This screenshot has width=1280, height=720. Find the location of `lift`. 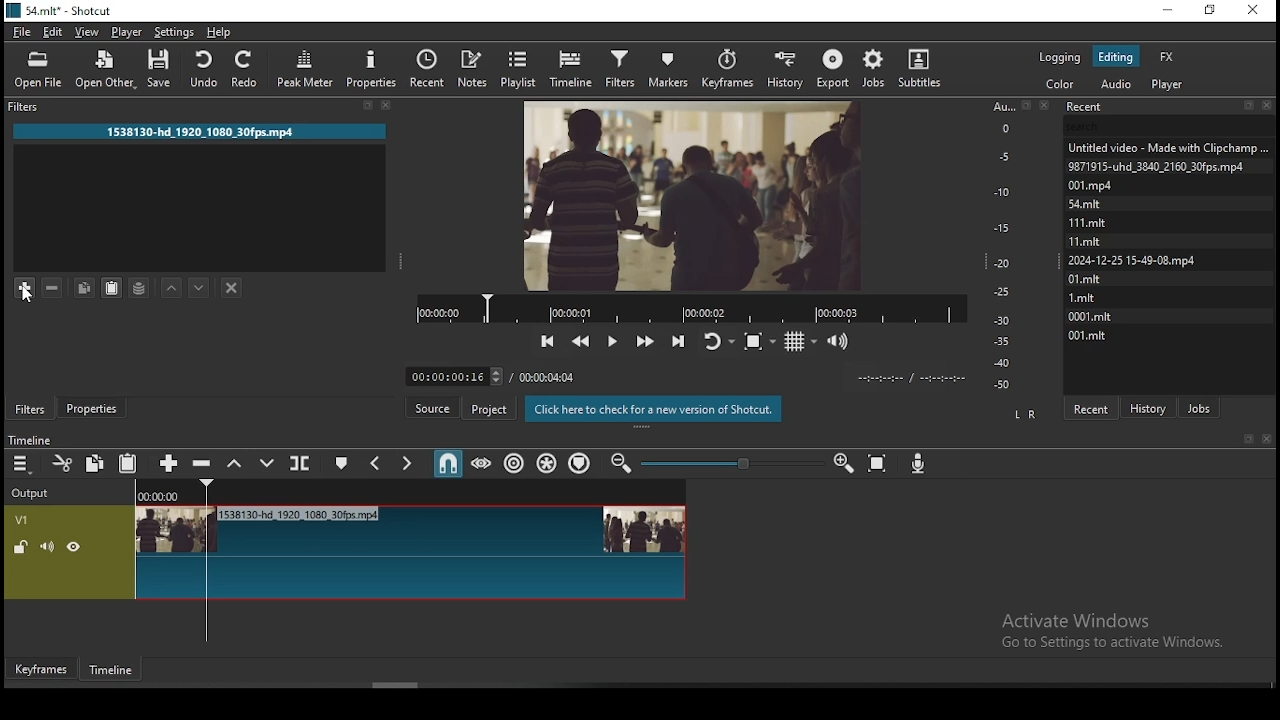

lift is located at coordinates (237, 464).